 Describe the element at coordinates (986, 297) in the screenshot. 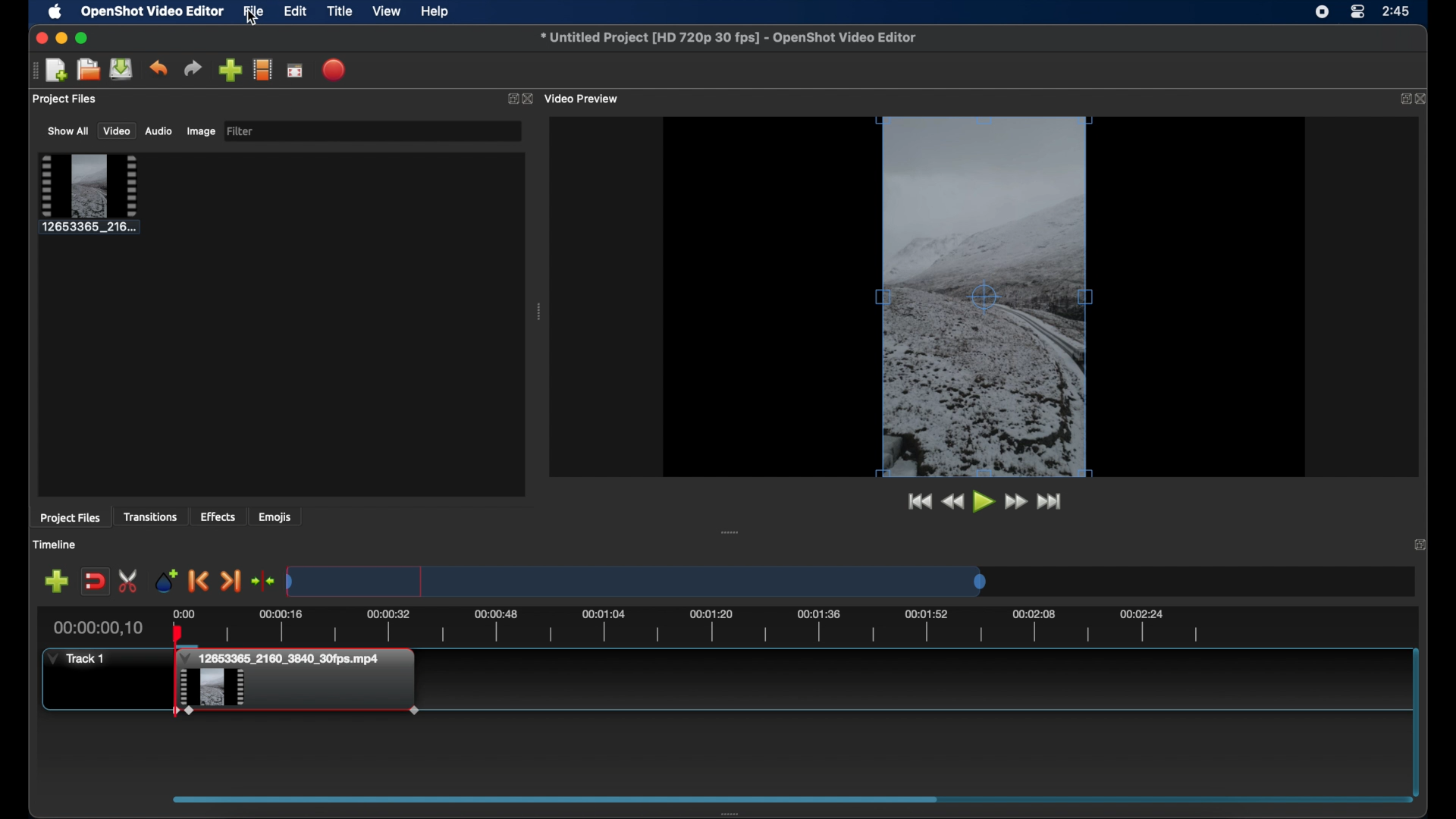

I see `preview` at that location.